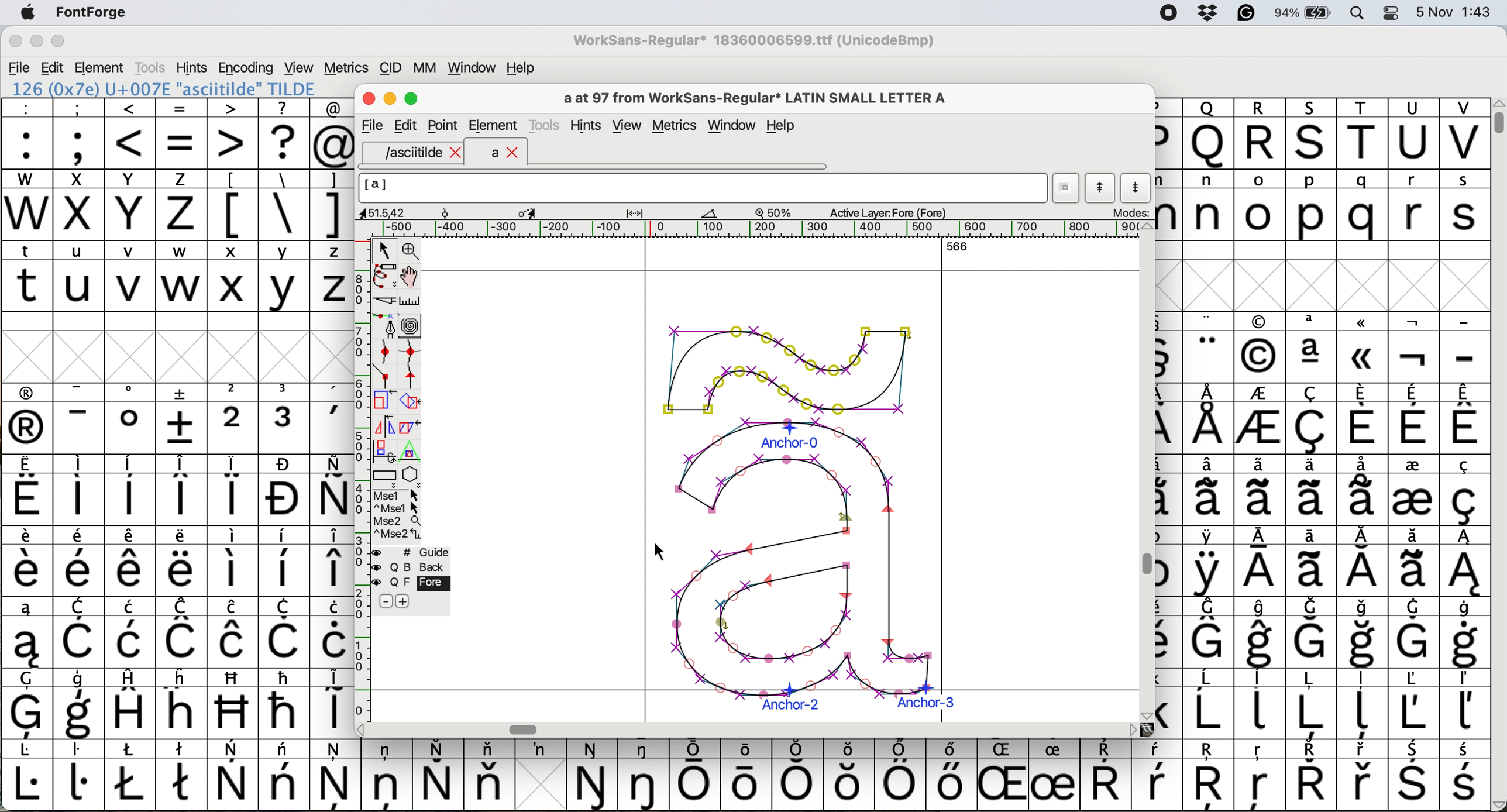 The width and height of the screenshot is (1507, 812). Describe the element at coordinates (362, 728) in the screenshot. I see `scroll button` at that location.